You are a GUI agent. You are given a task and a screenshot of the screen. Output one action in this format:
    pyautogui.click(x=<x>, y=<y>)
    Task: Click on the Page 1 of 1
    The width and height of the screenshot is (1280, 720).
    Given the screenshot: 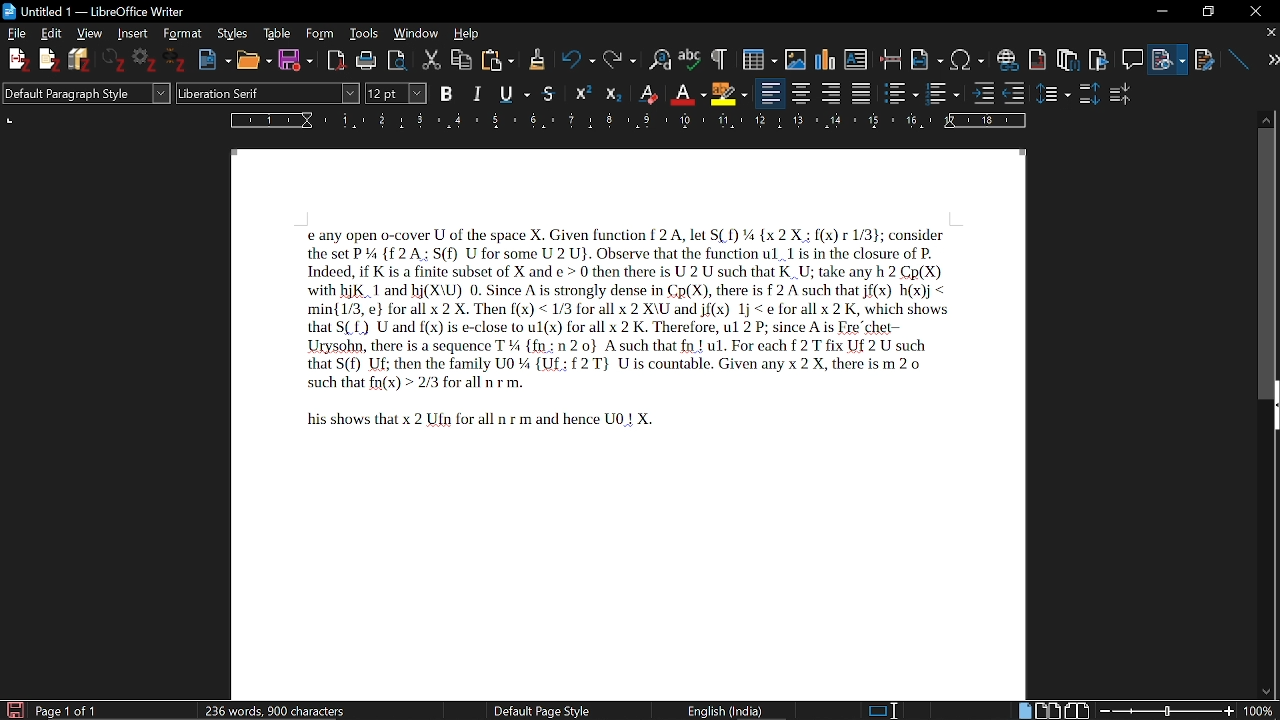 What is the action you would take?
    pyautogui.click(x=67, y=710)
    